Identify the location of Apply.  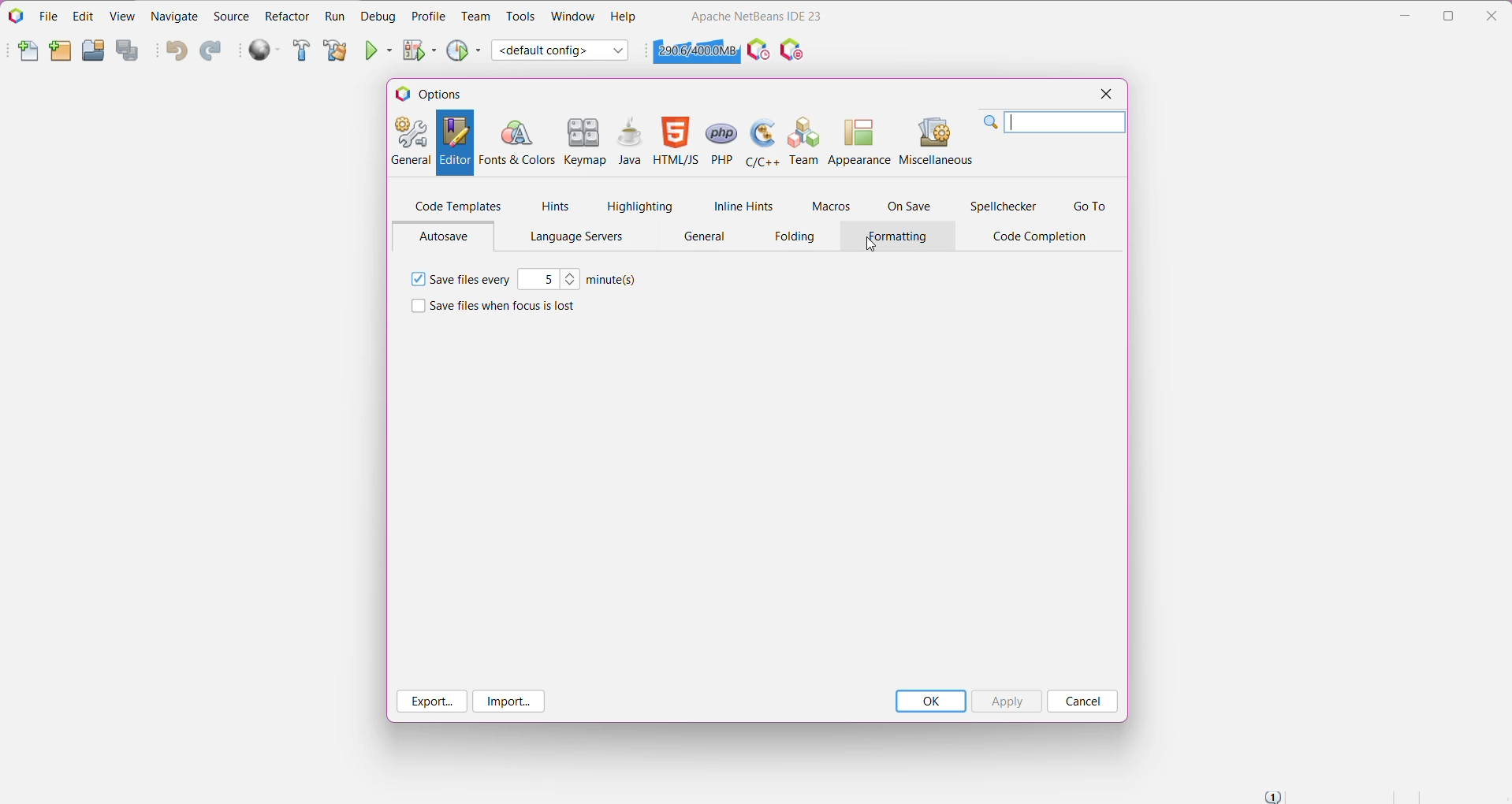
(1006, 702).